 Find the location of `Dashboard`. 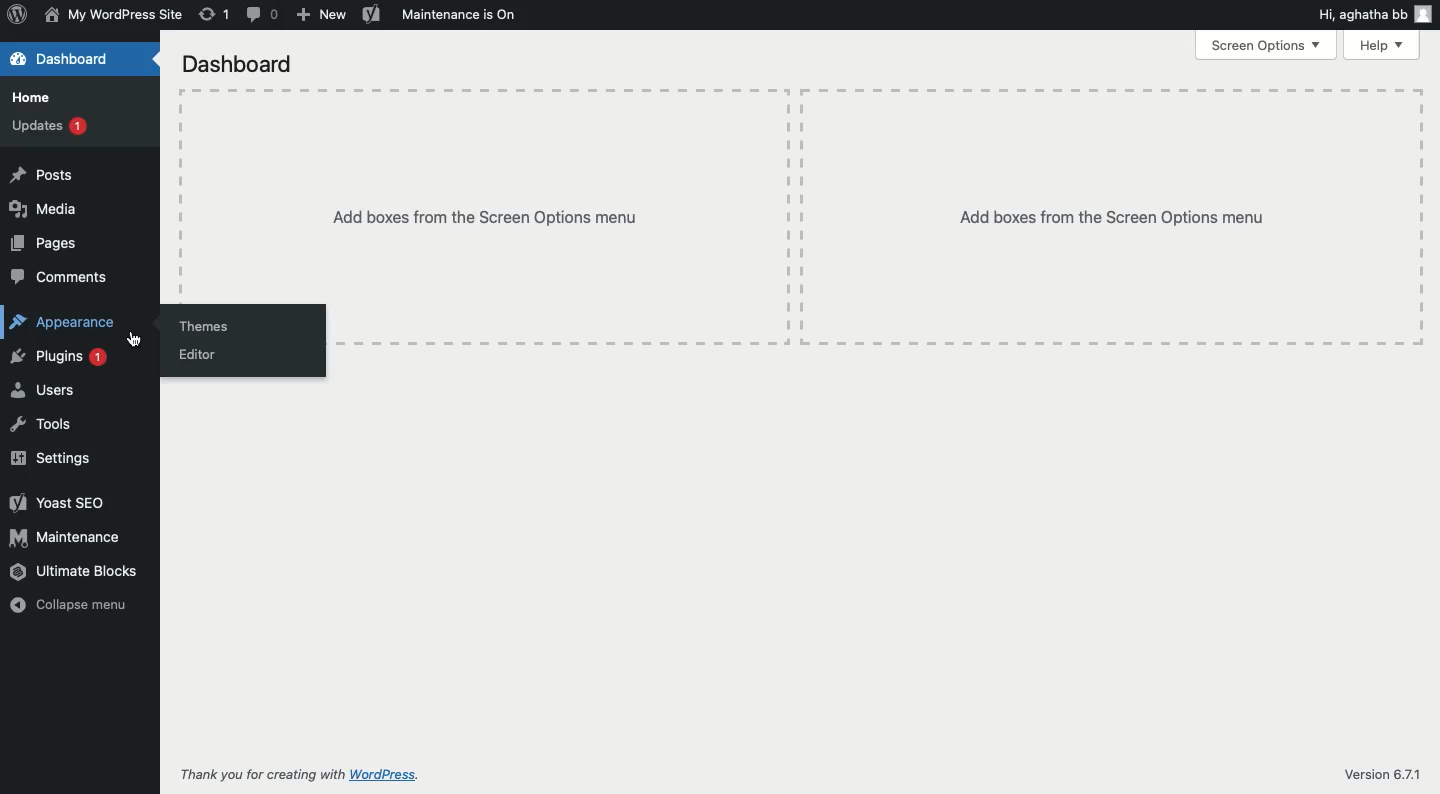

Dashboard is located at coordinates (239, 66).